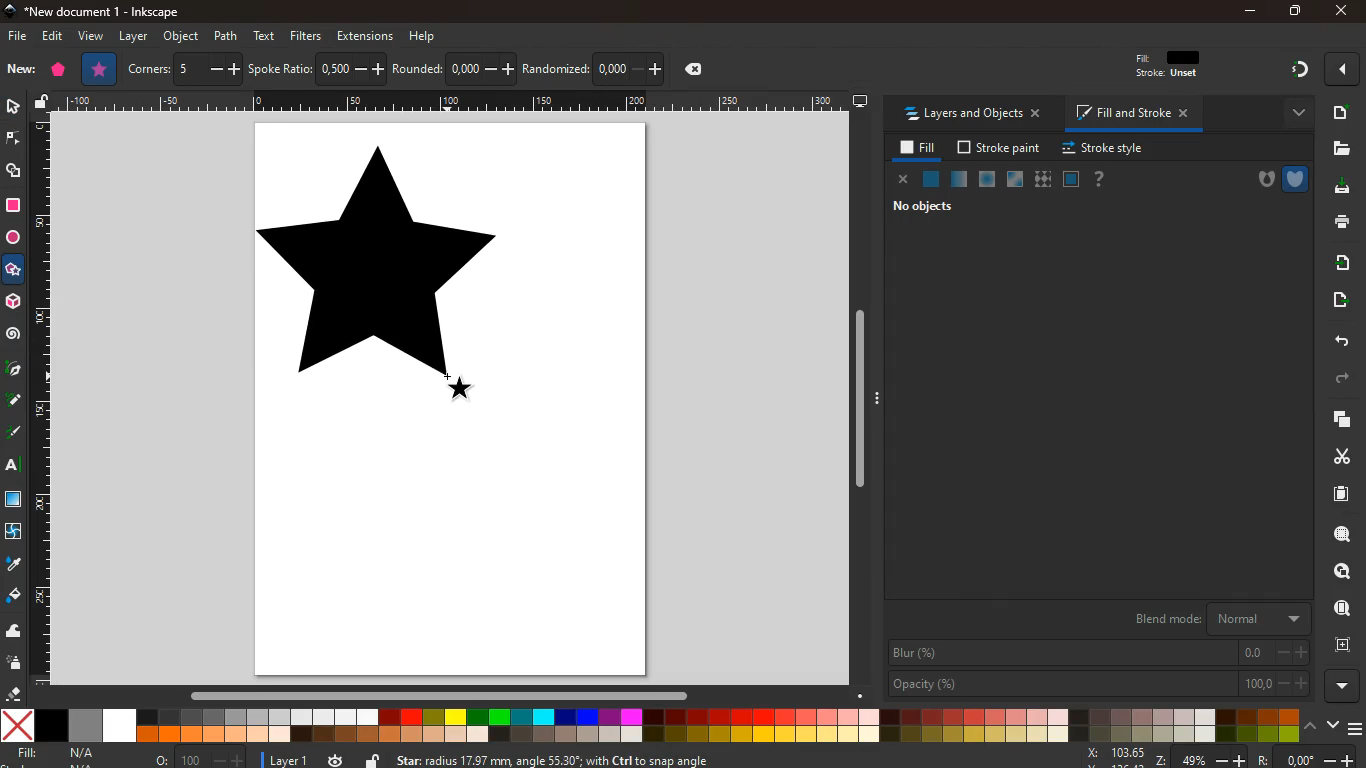 Image resolution: width=1366 pixels, height=768 pixels. I want to click on new, so click(1337, 114).